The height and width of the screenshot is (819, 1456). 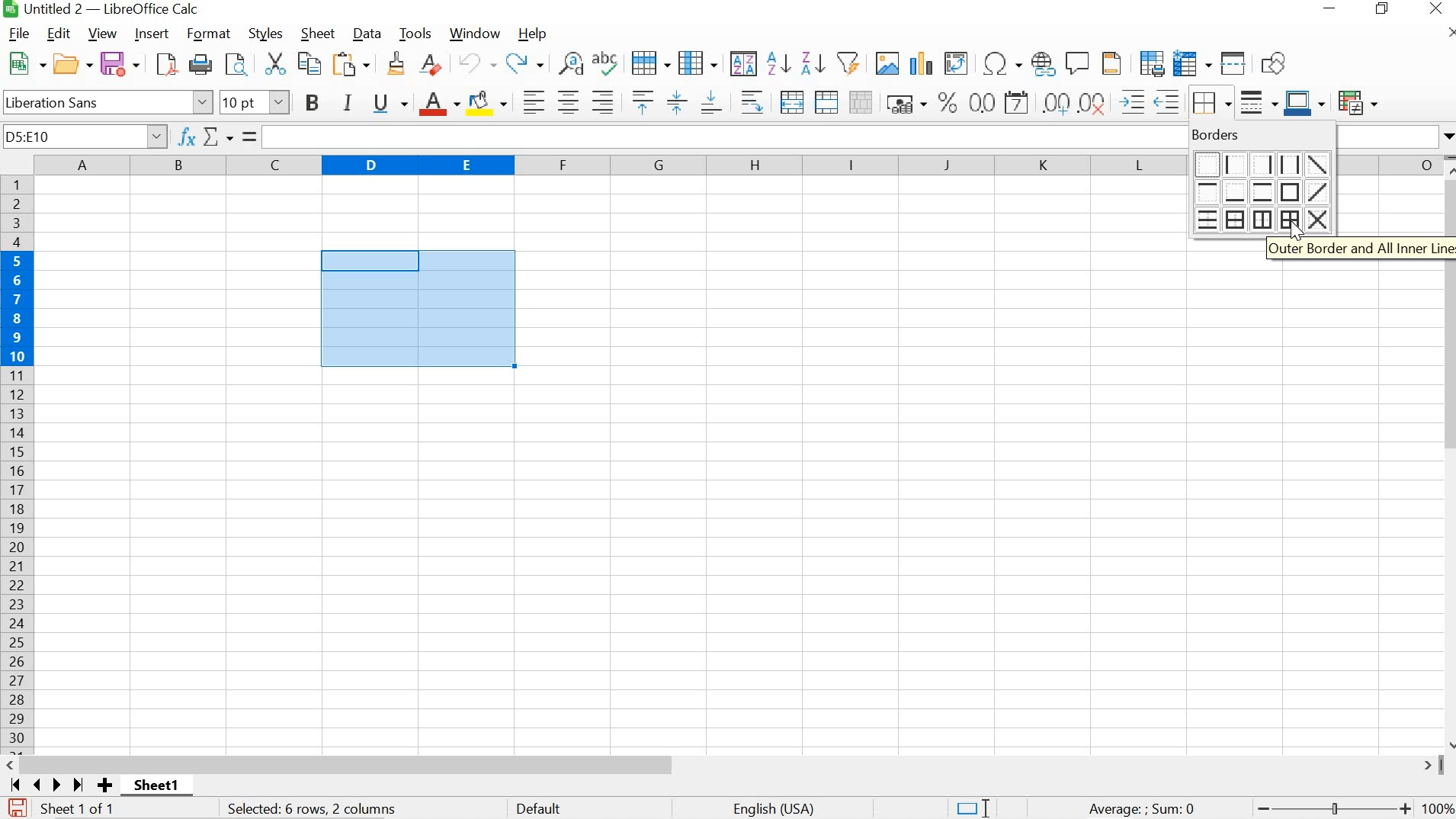 I want to click on top border, so click(x=1207, y=192).